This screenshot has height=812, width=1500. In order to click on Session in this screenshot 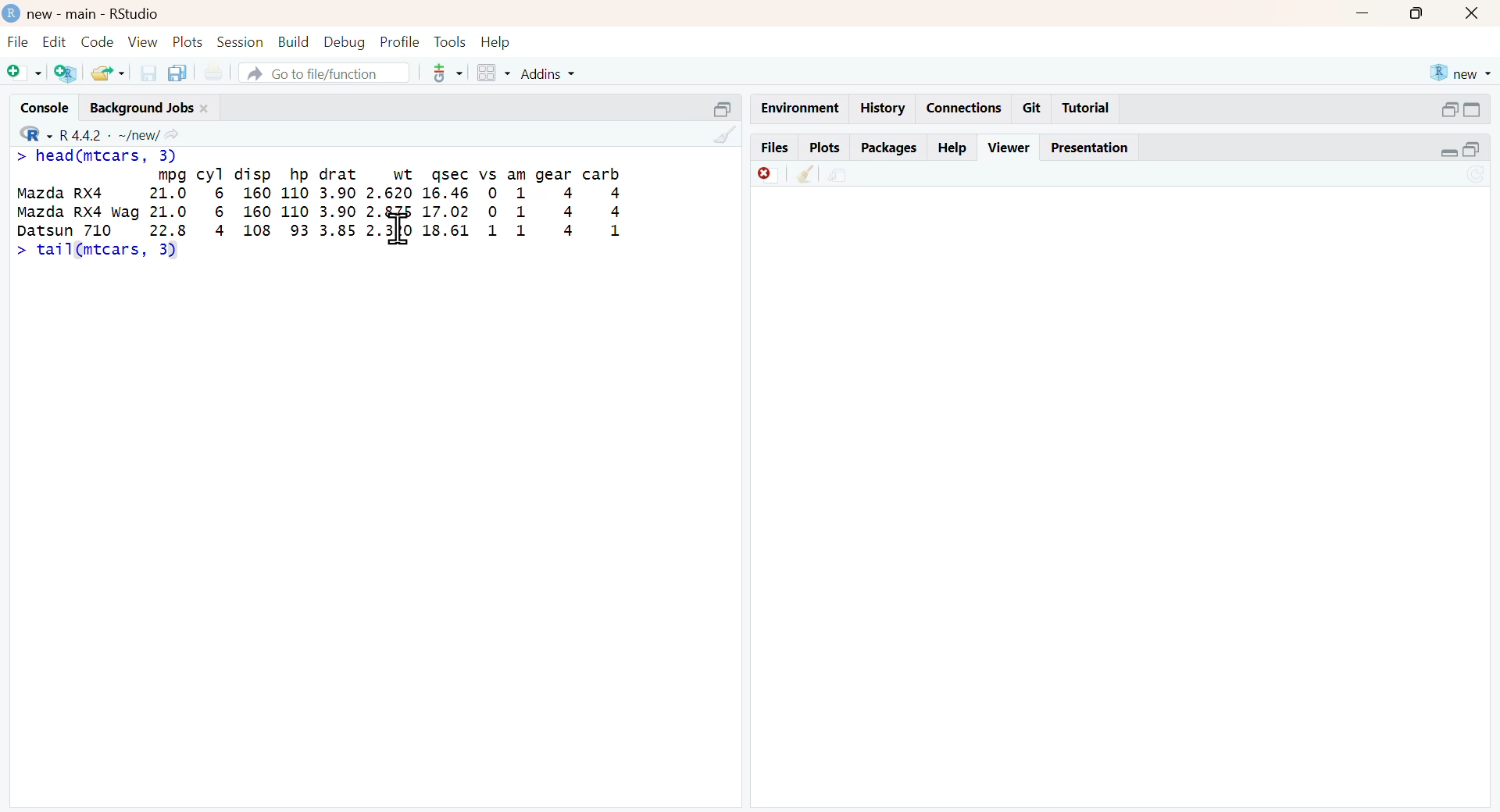, I will do `click(240, 42)`.